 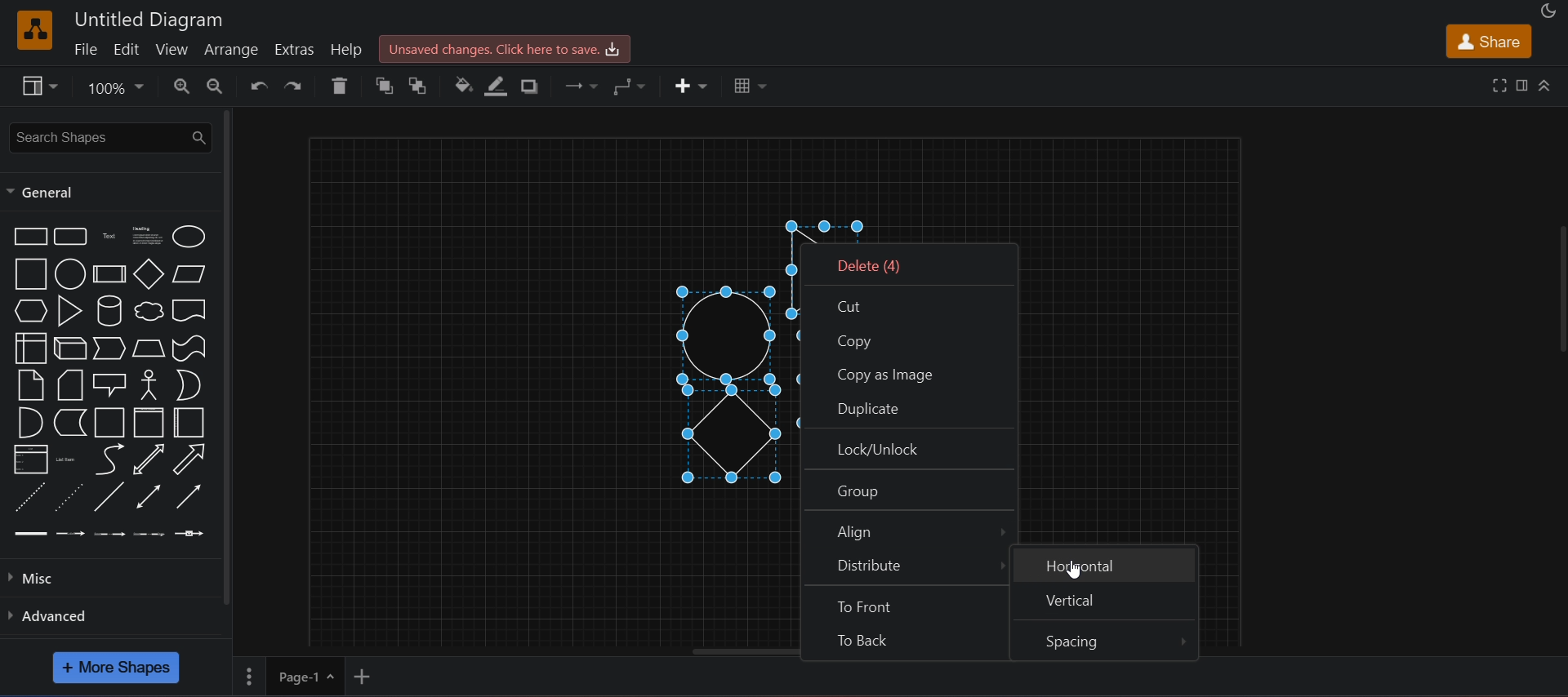 I want to click on triangle, so click(x=69, y=310).